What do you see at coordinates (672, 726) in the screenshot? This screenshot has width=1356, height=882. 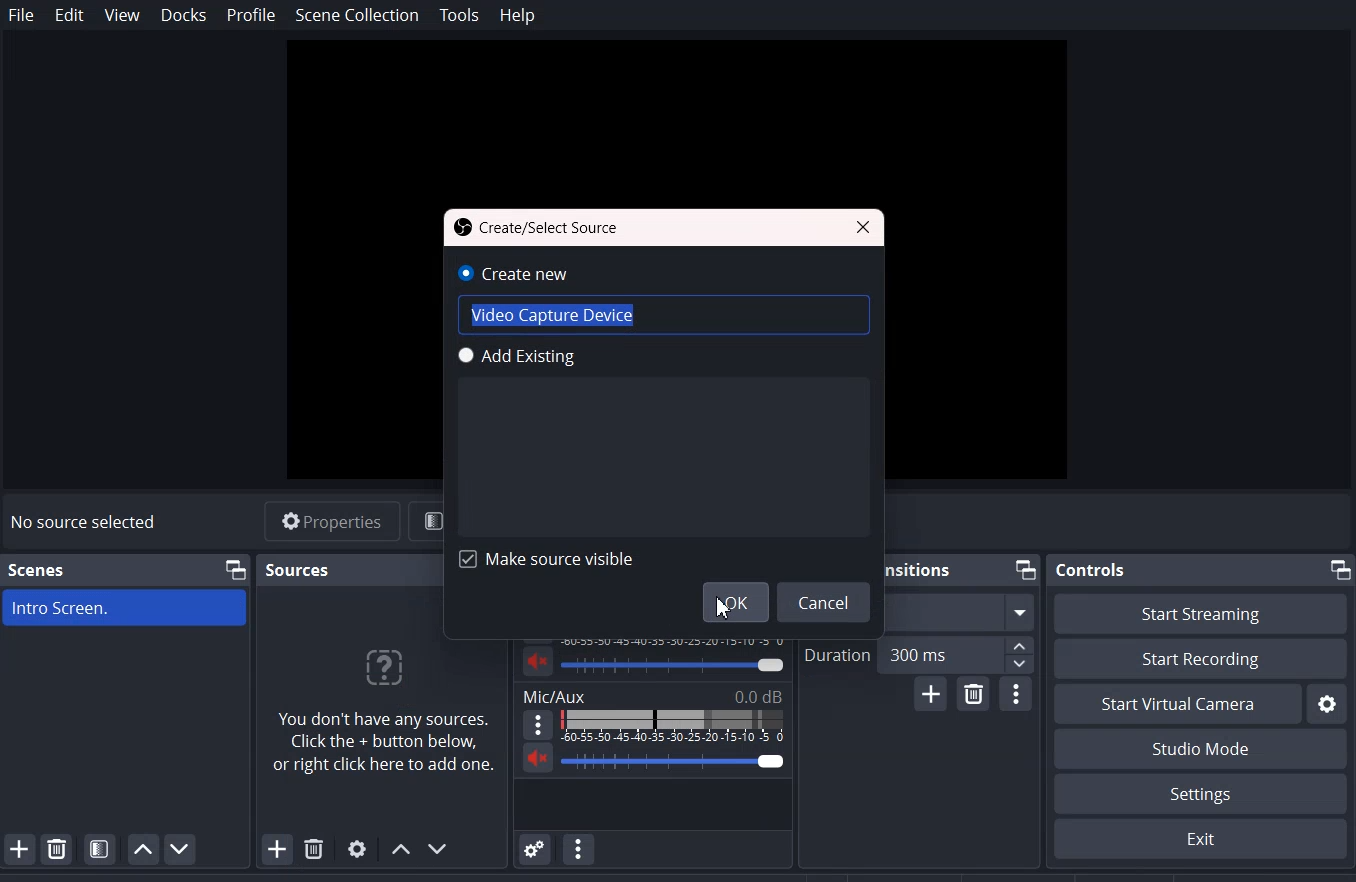 I see `Volume Indicator` at bounding box center [672, 726].